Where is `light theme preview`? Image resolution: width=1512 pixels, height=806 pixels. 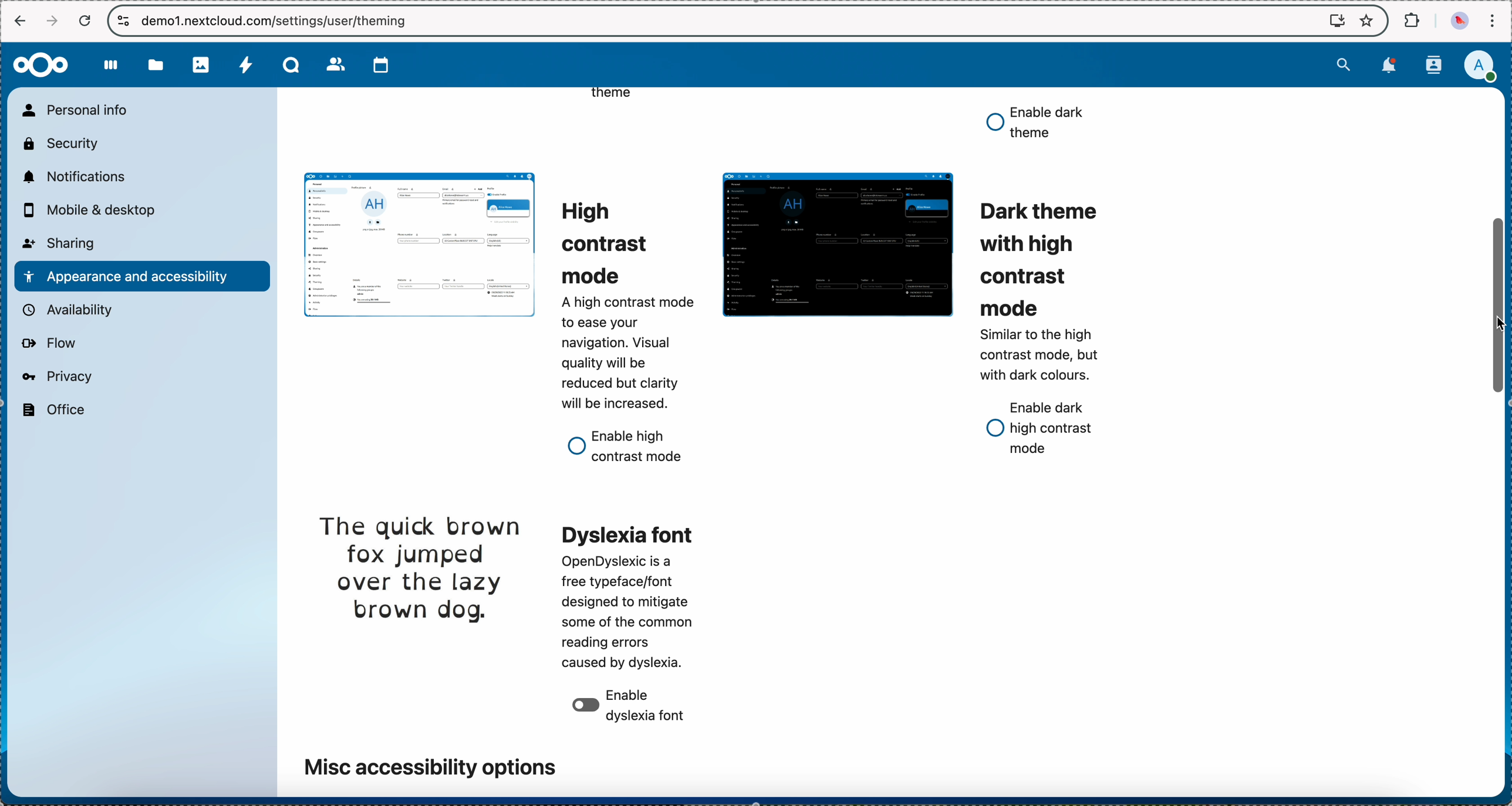 light theme preview is located at coordinates (417, 243).